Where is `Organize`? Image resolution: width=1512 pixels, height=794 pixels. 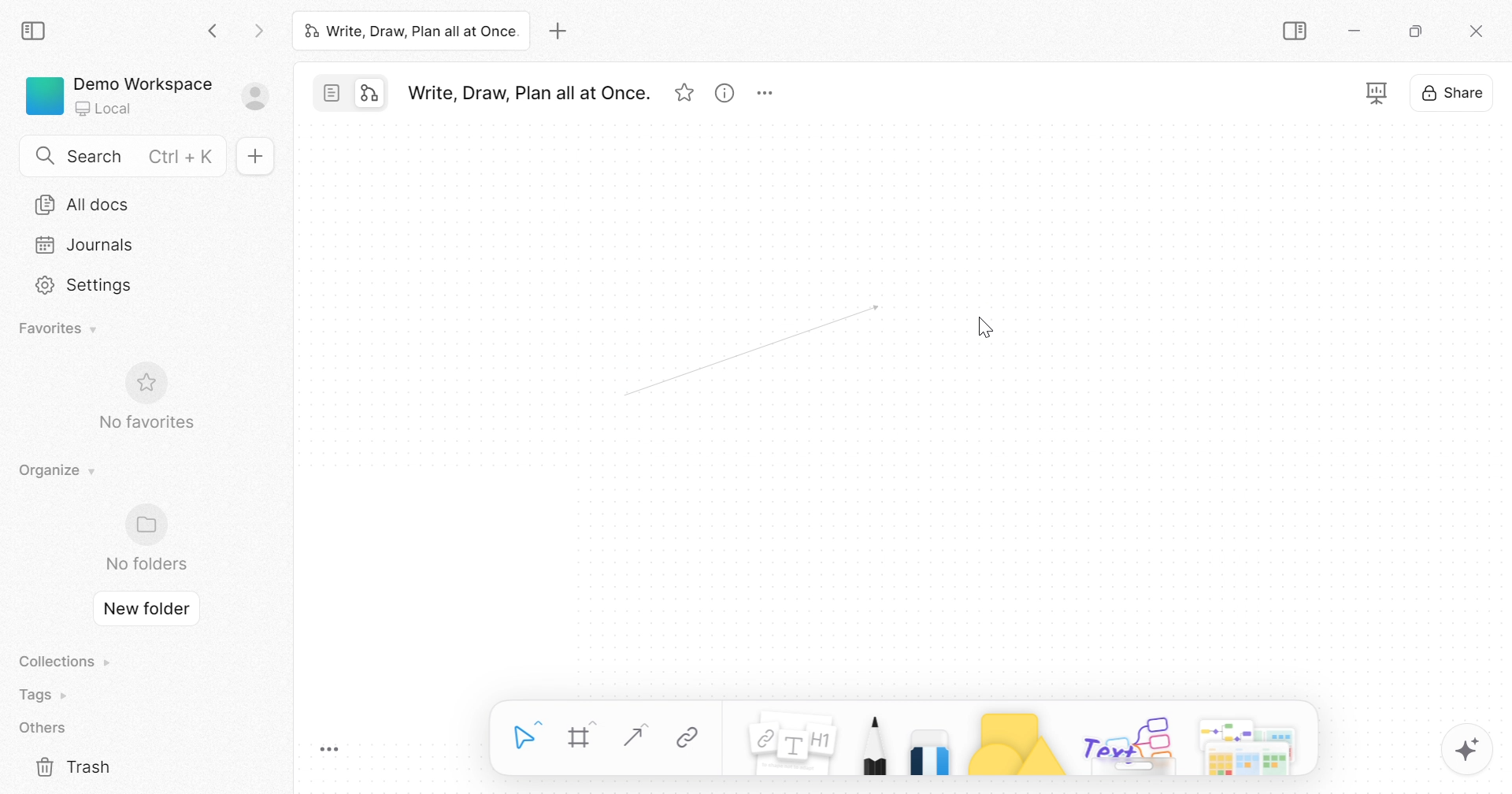
Organize is located at coordinates (53, 470).